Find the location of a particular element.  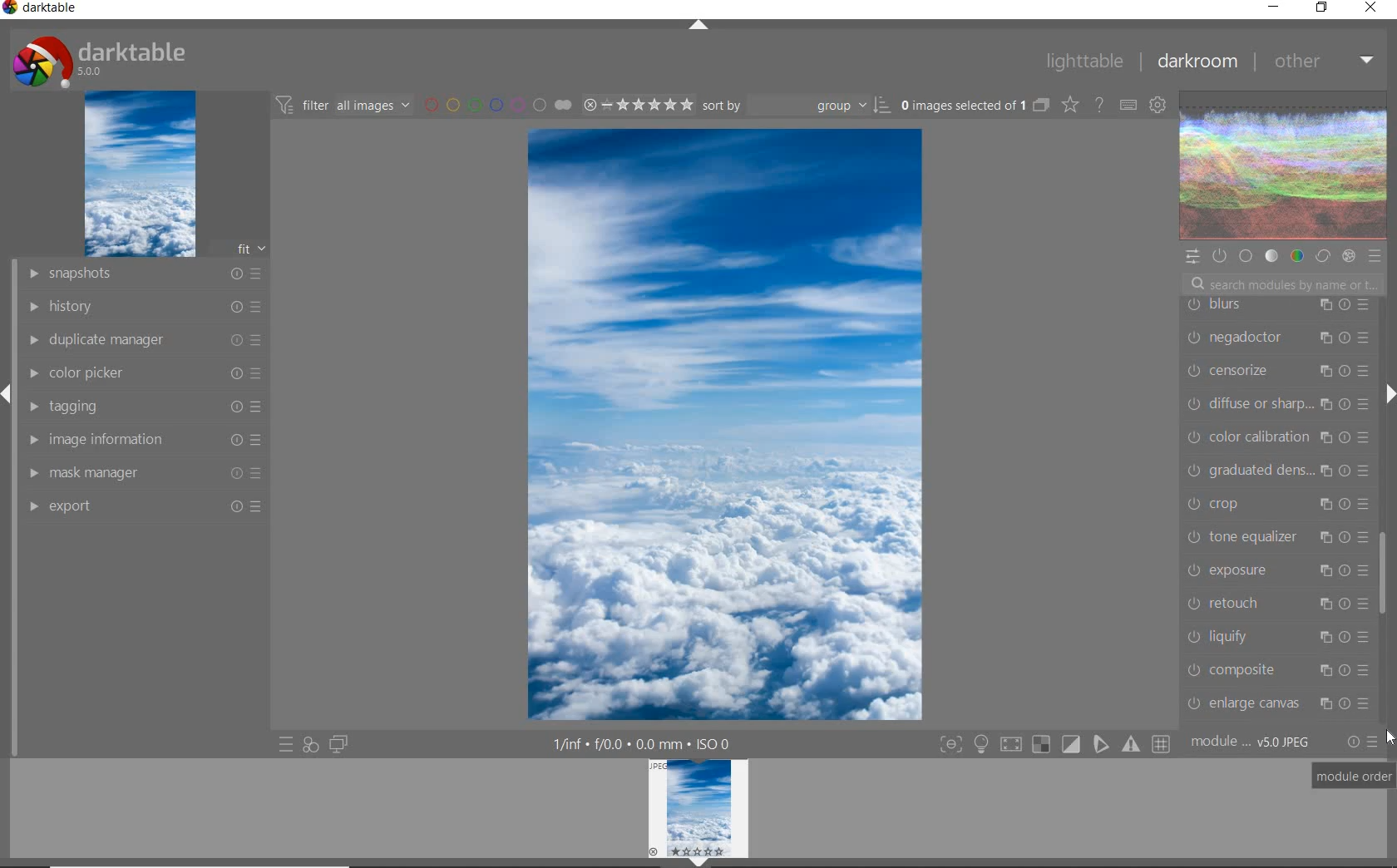

QUICK ACCESS FOR APLYING ANY OF YOUR STYLES is located at coordinates (310, 745).